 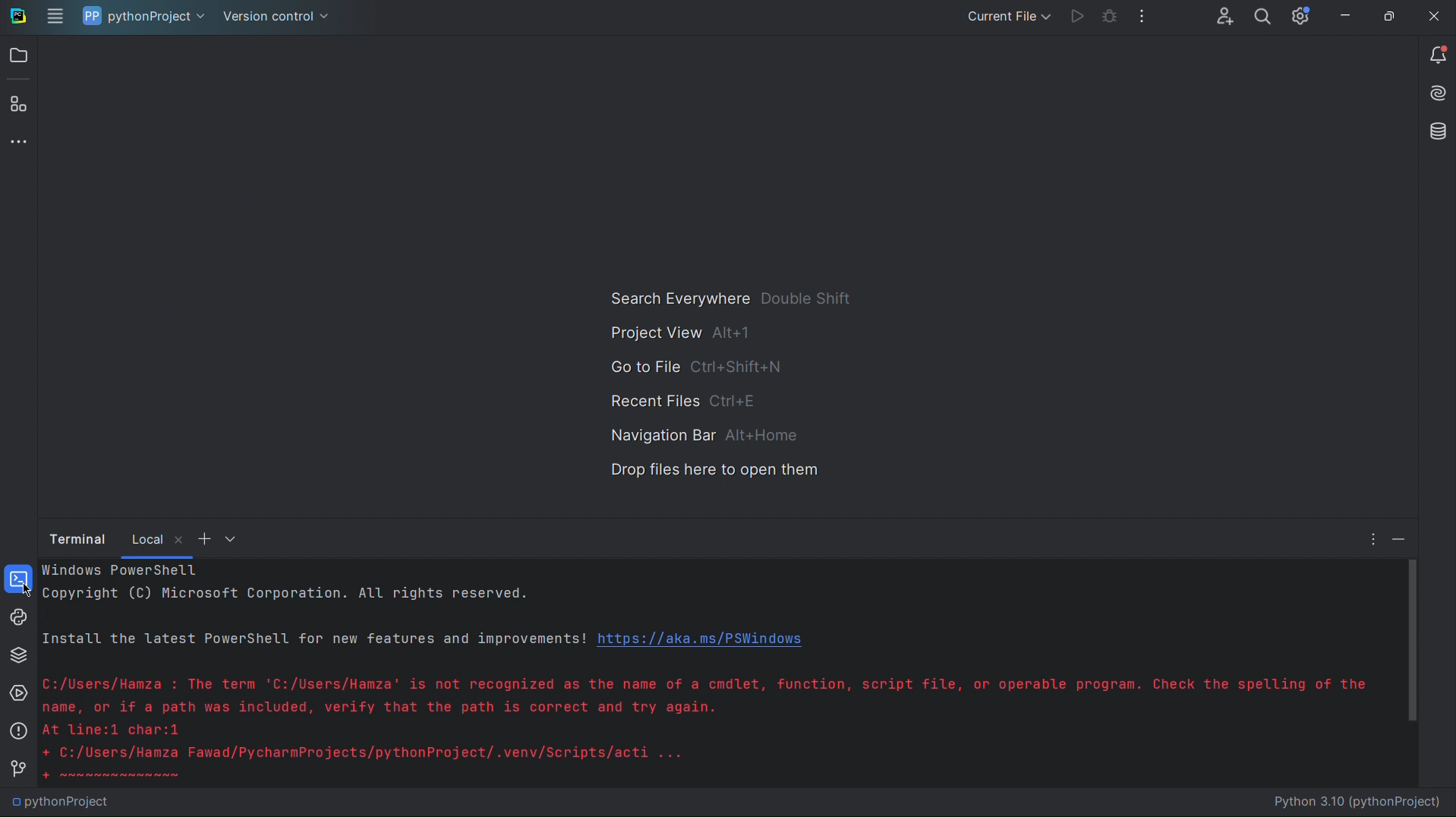 I want to click on Minimize, so click(x=1345, y=17).